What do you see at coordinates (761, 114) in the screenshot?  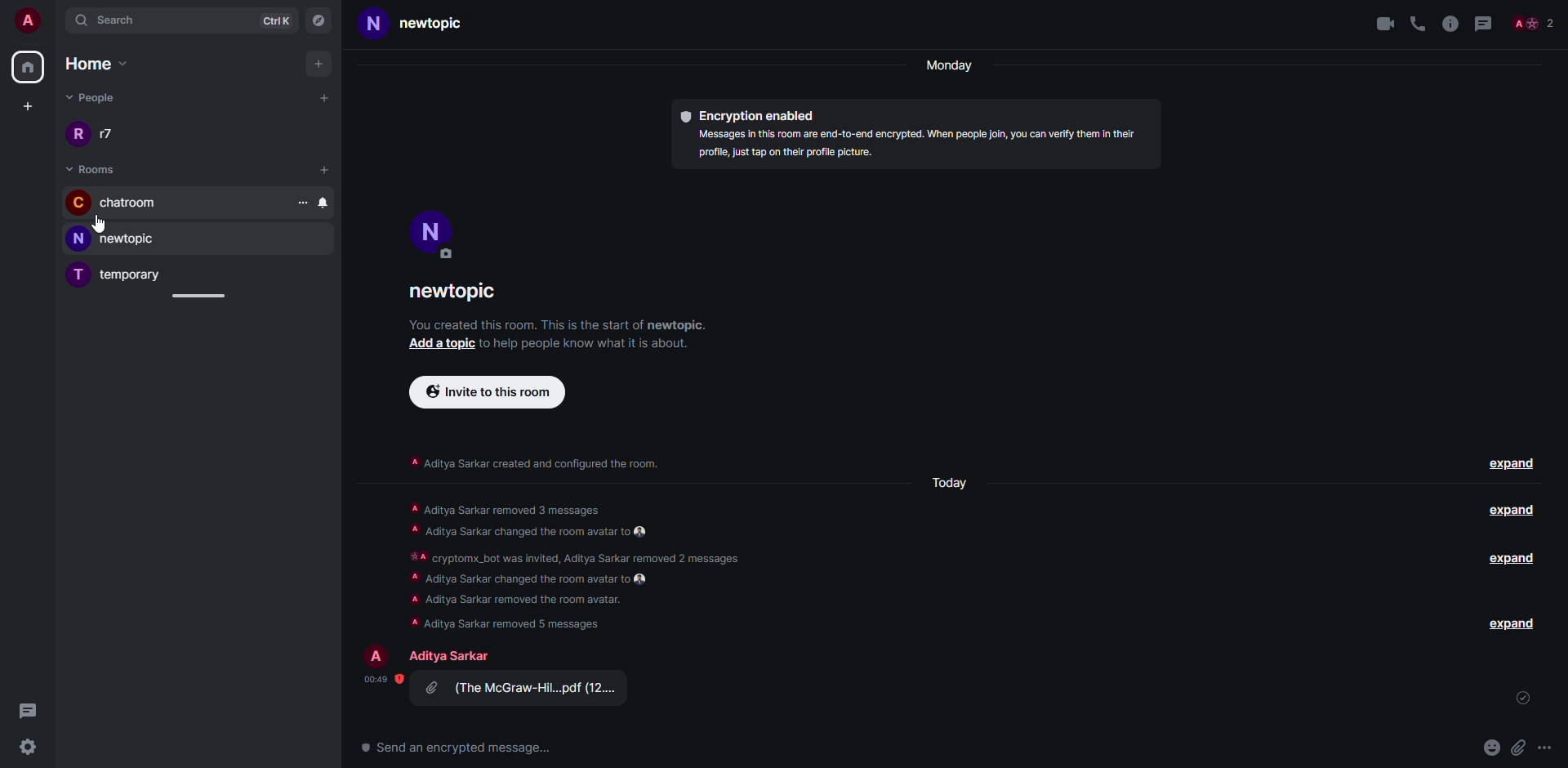 I see `encryption enabled` at bounding box center [761, 114].